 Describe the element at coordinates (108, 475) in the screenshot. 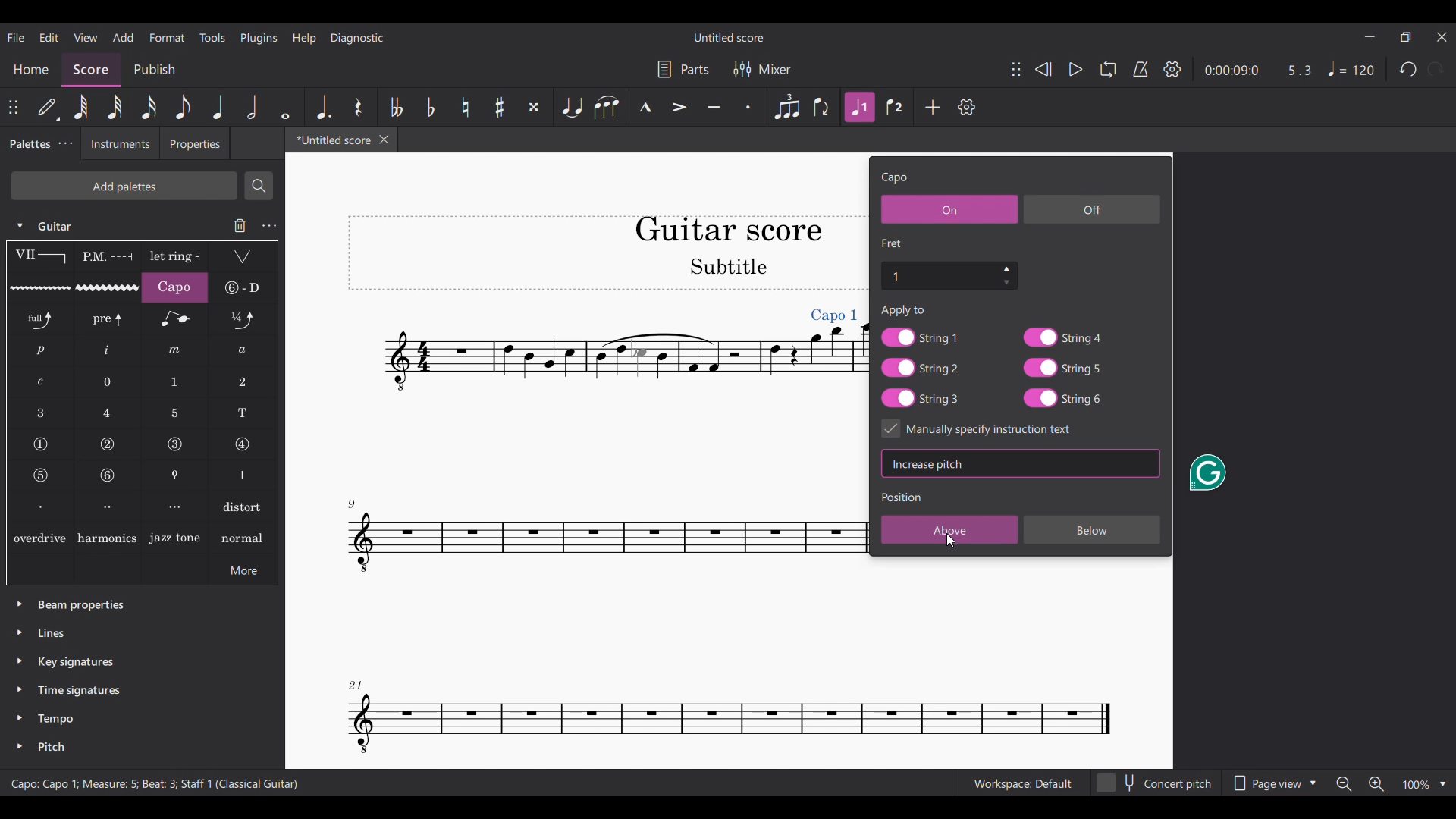

I see `String number 6` at that location.